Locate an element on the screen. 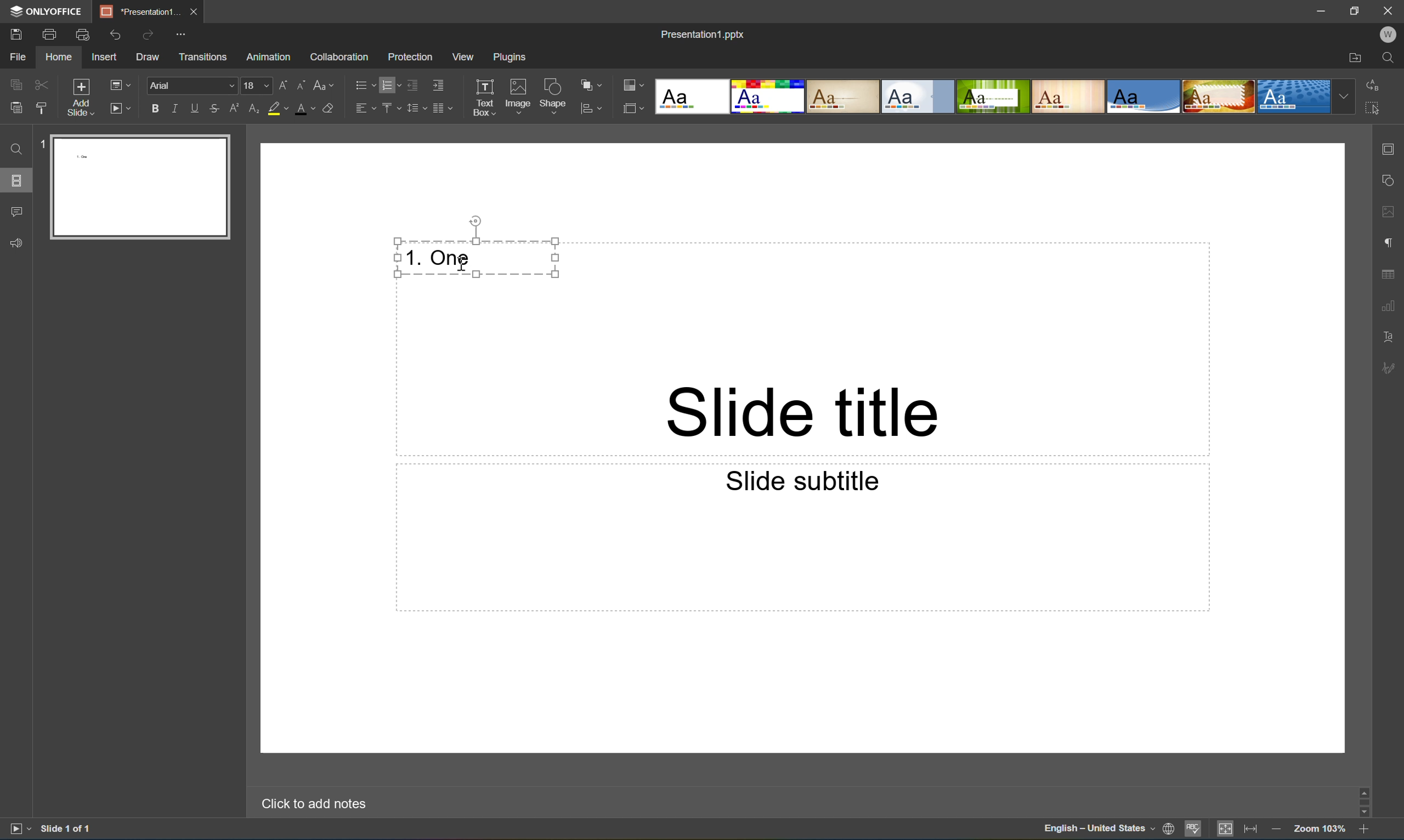 This screenshot has height=840, width=1404. Font color is located at coordinates (304, 110).